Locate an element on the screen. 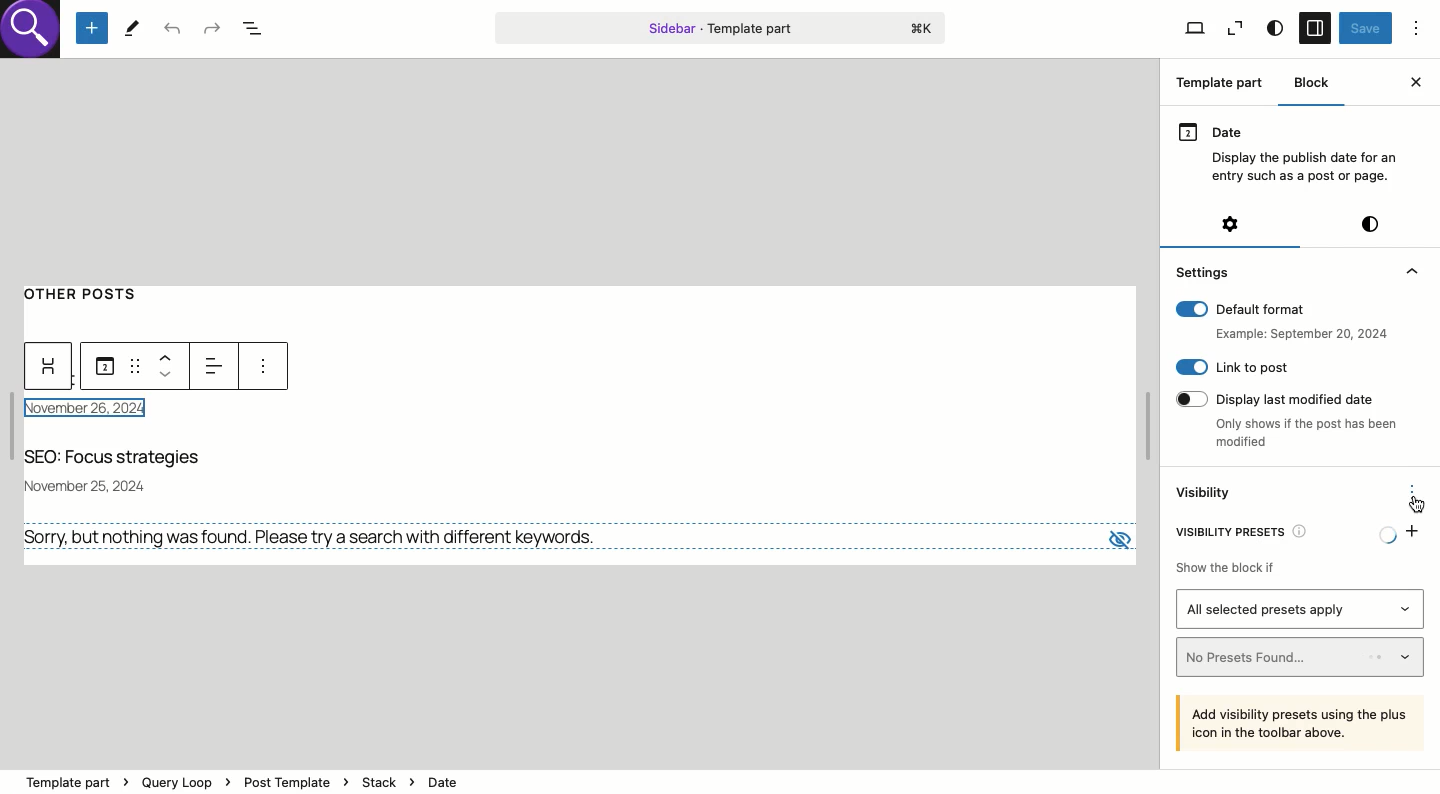  Link to post is located at coordinates (1232, 367).